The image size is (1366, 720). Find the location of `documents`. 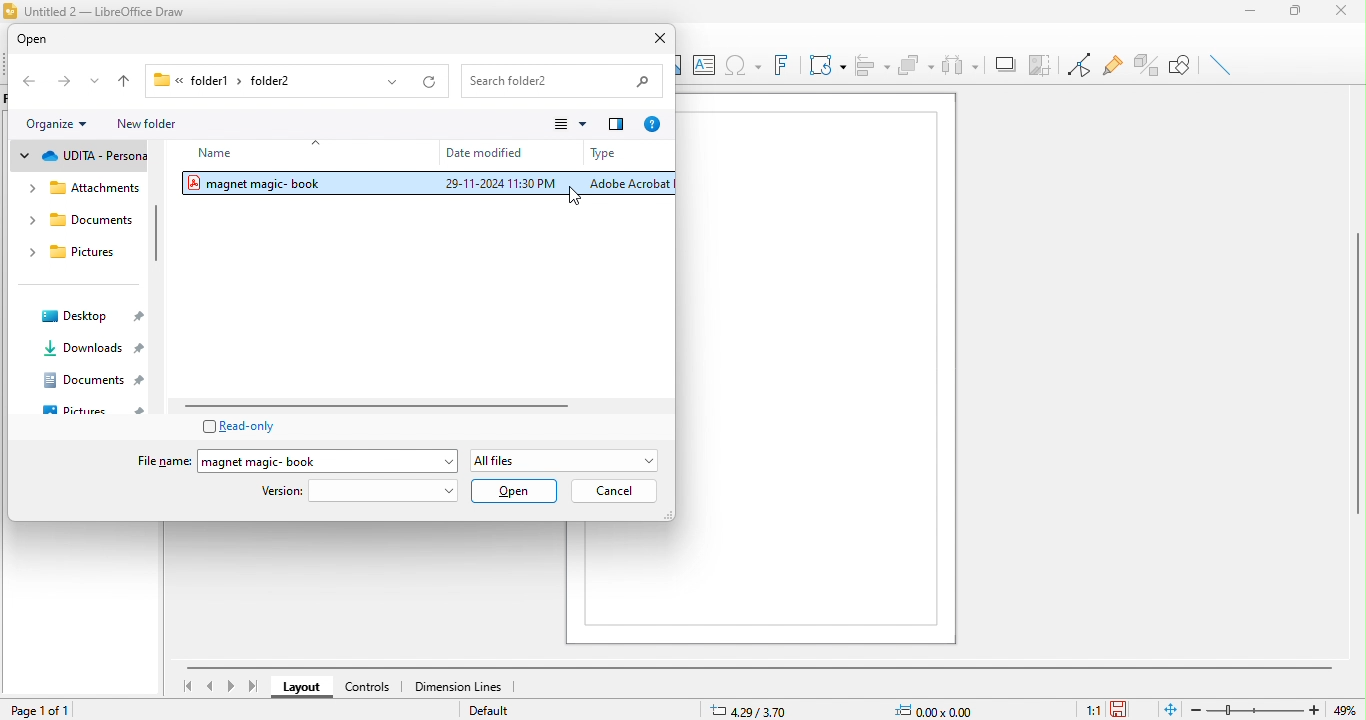

documents is located at coordinates (77, 220).